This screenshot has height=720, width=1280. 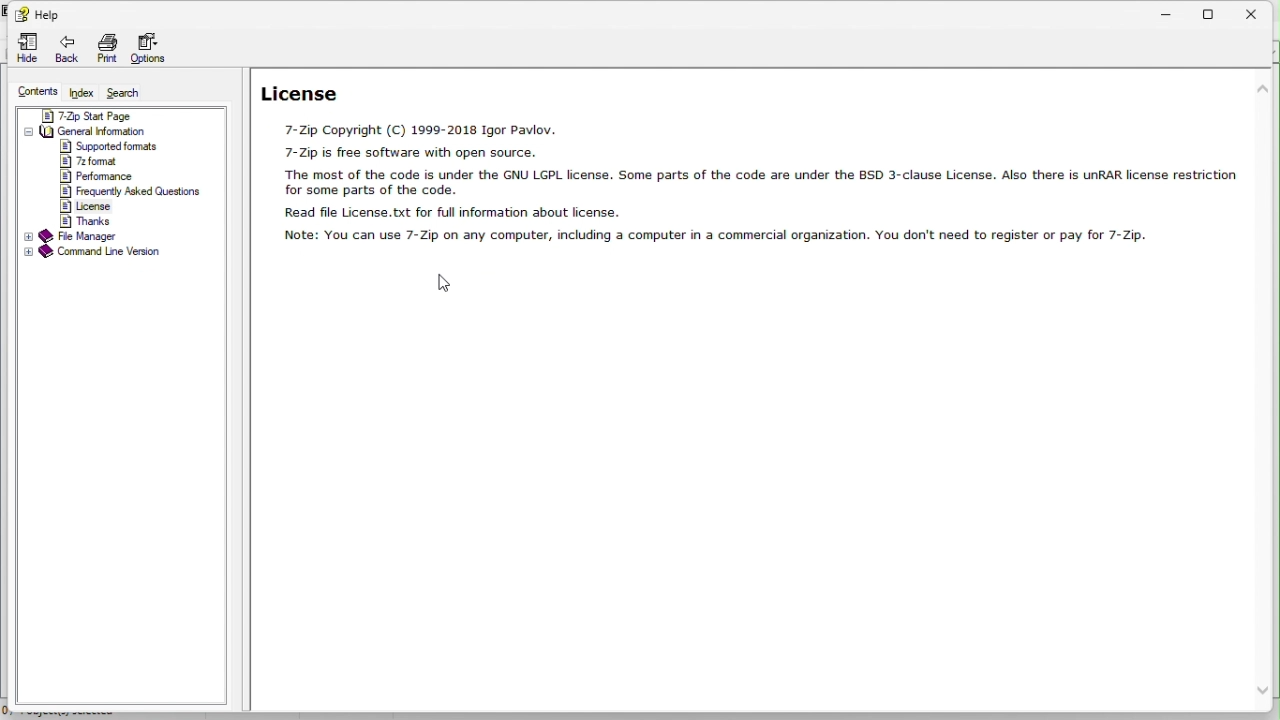 I want to click on Back, so click(x=66, y=51).